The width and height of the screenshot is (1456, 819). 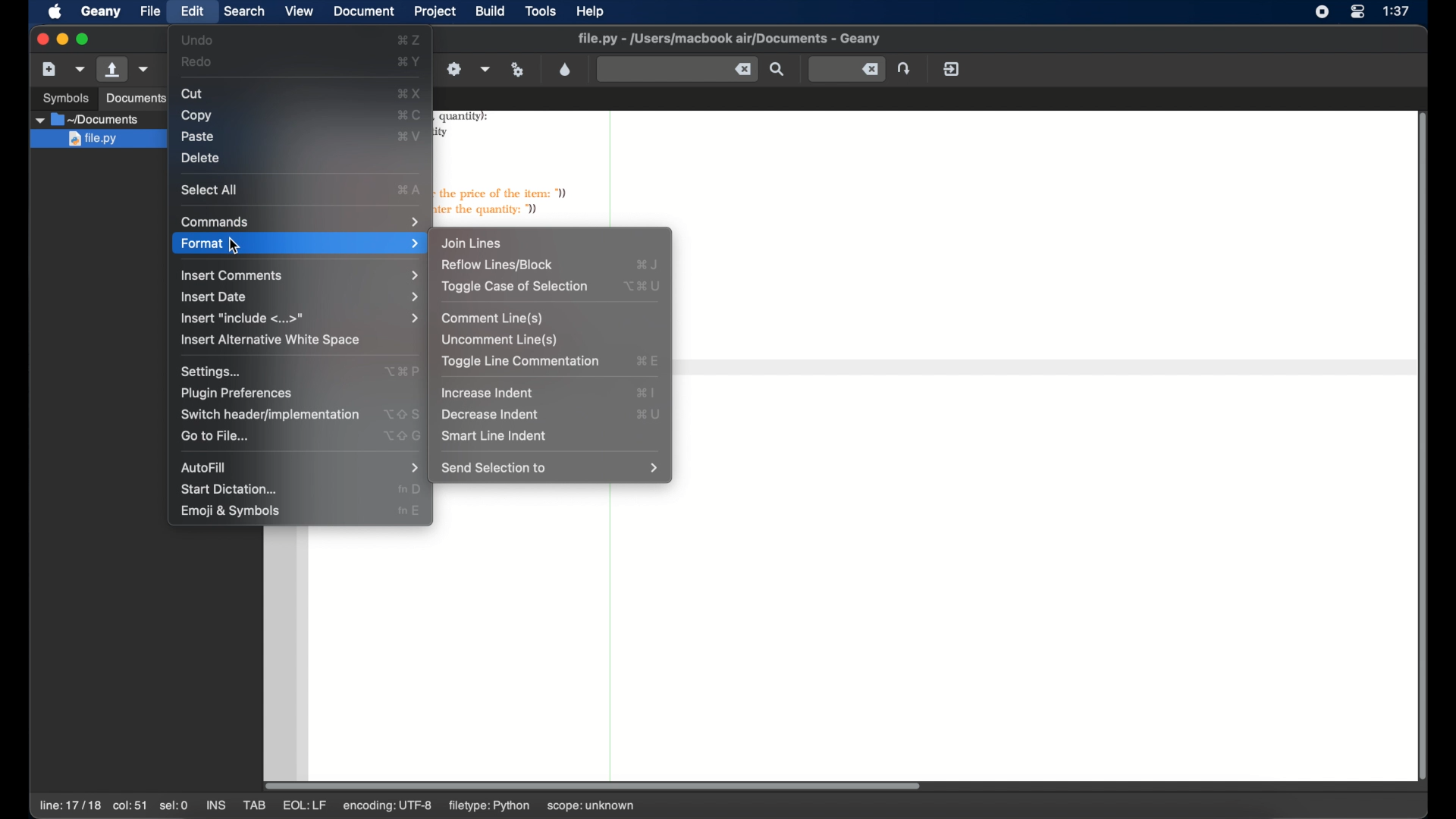 What do you see at coordinates (645, 391) in the screenshot?
I see `increase indent` at bounding box center [645, 391].